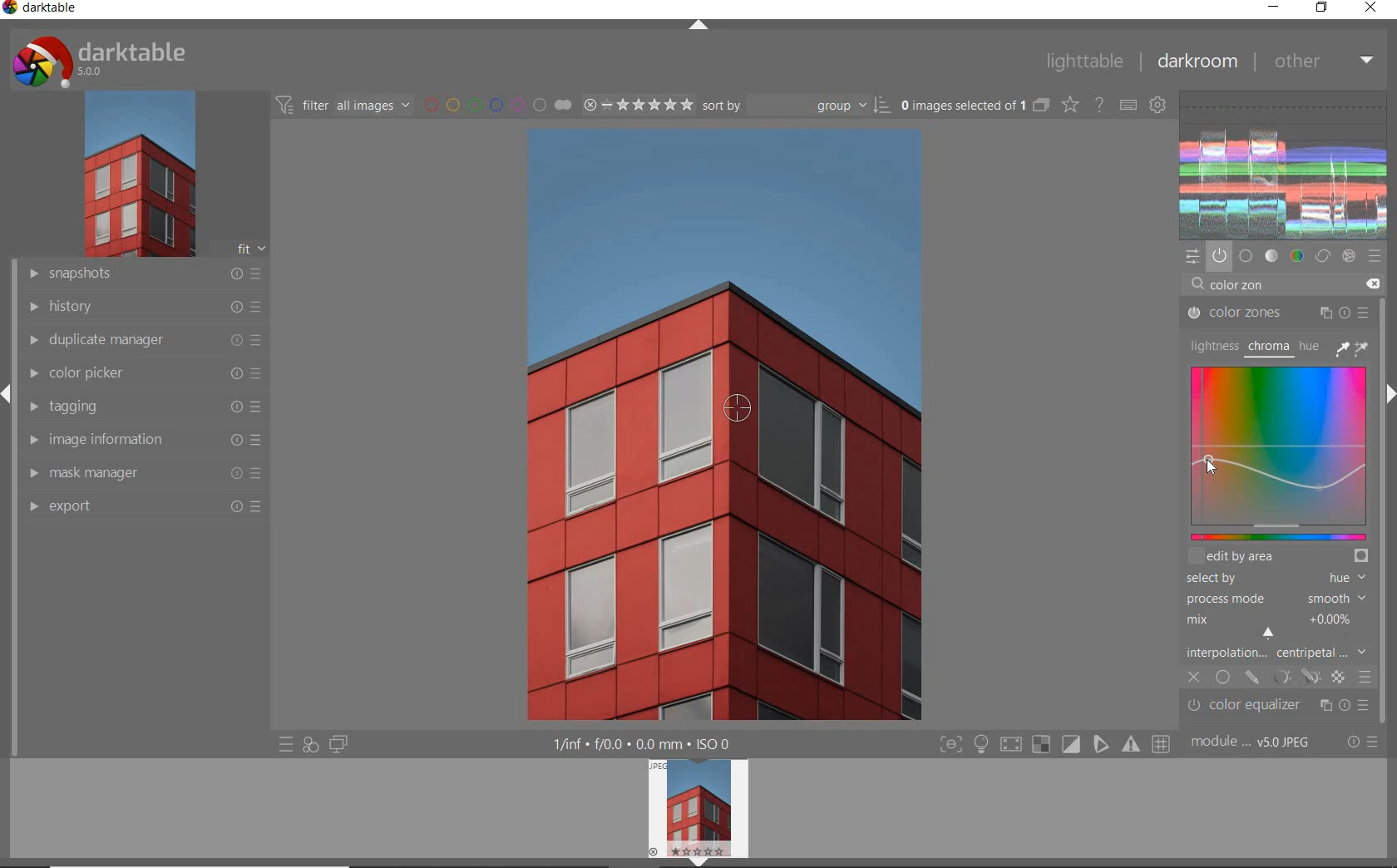 The image size is (1397, 868). Describe the element at coordinates (138, 176) in the screenshot. I see `image` at that location.